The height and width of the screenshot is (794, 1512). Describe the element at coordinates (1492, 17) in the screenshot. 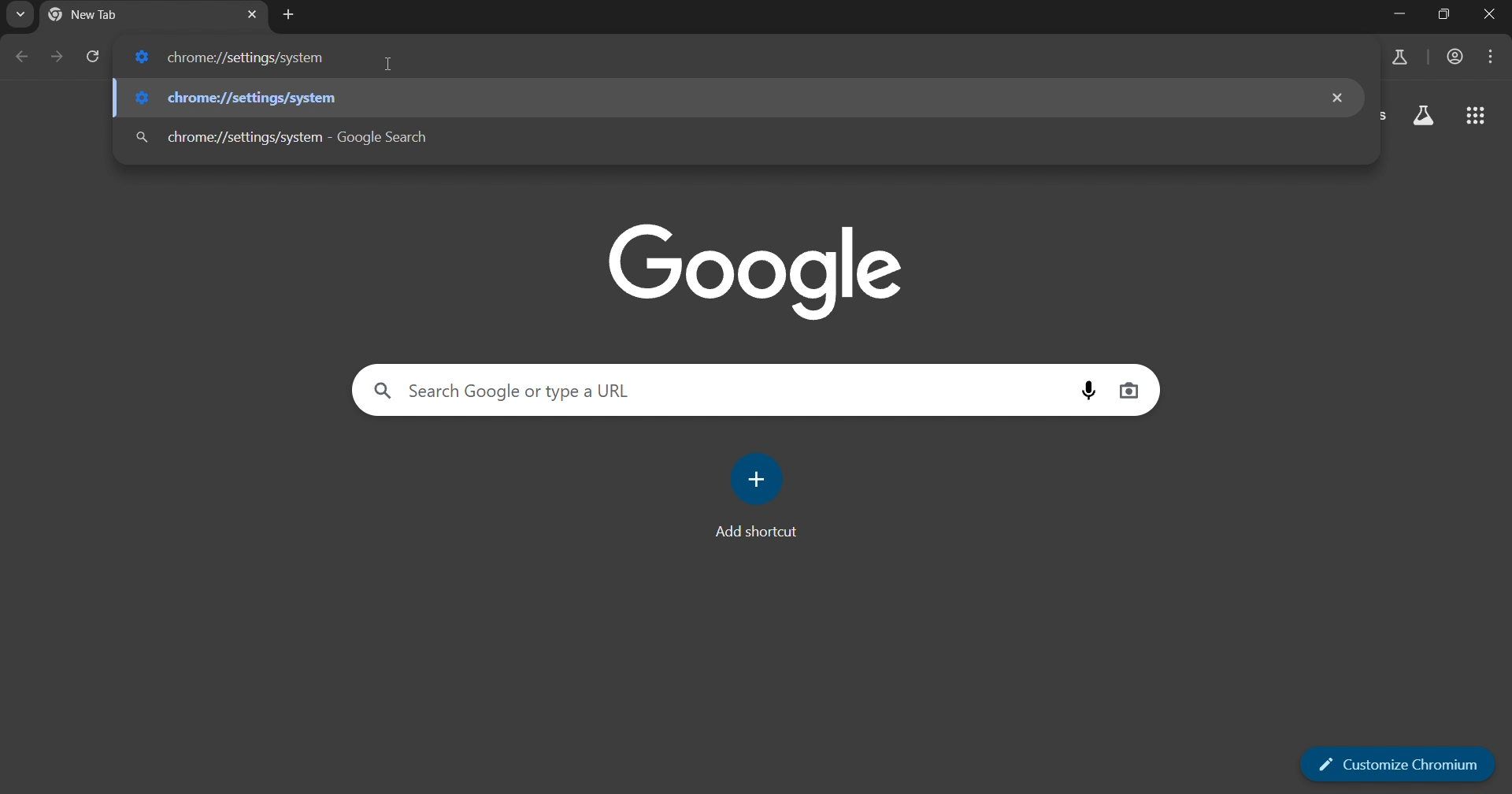

I see `Close` at that location.